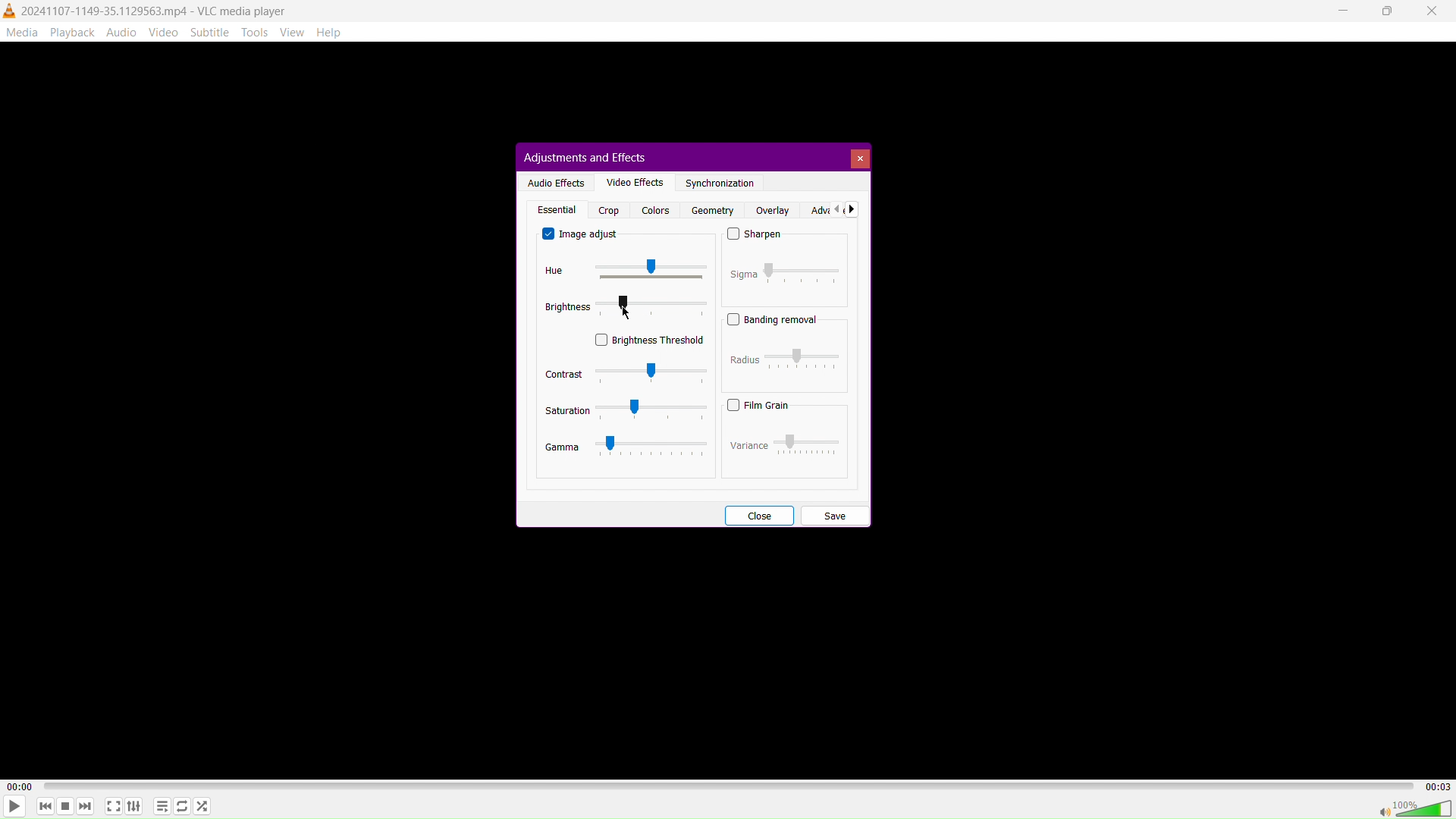 This screenshot has width=1456, height=819. Describe the element at coordinates (1345, 11) in the screenshot. I see `Minimize` at that location.